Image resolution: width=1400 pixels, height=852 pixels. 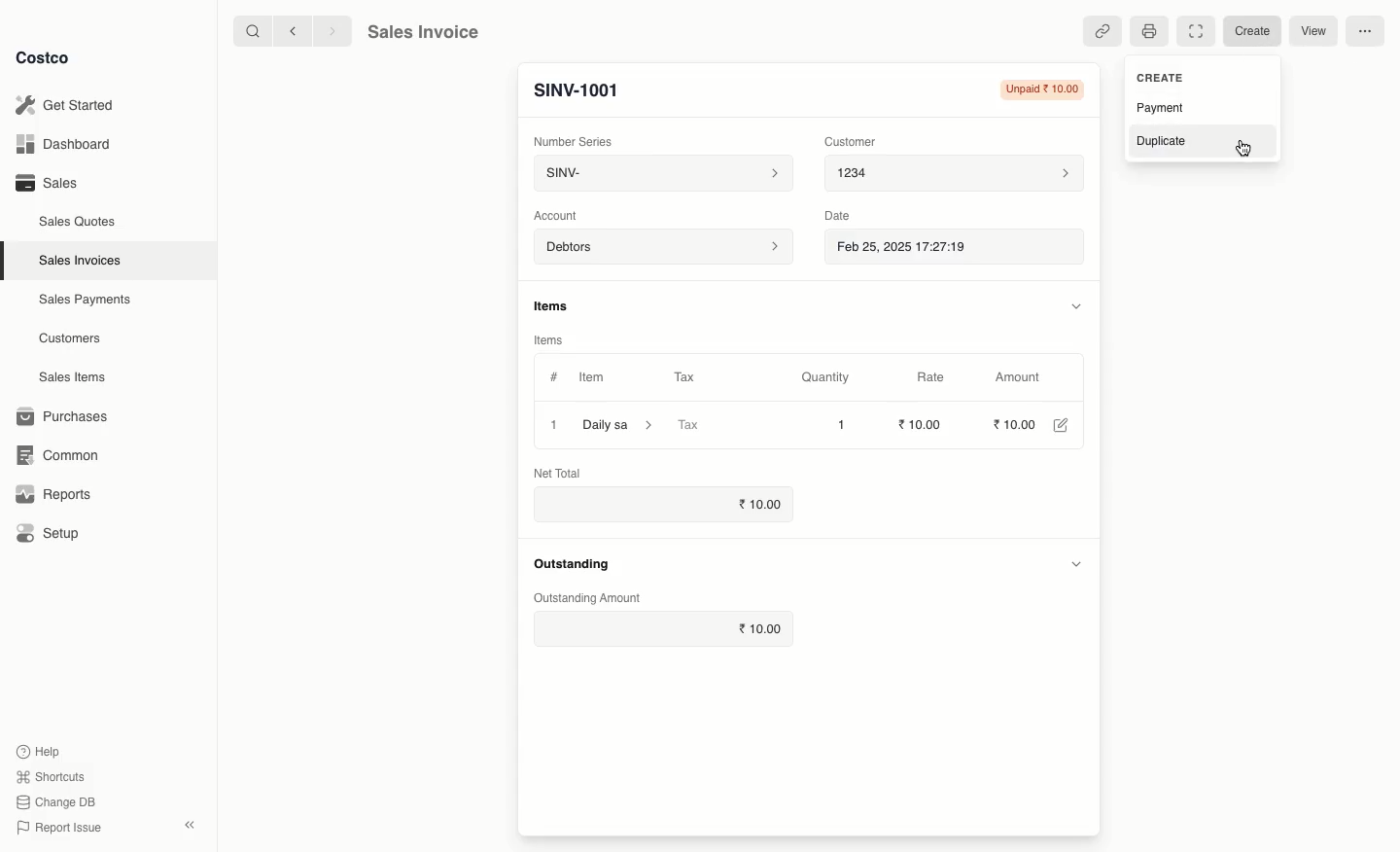 I want to click on Collapse, so click(x=189, y=825).